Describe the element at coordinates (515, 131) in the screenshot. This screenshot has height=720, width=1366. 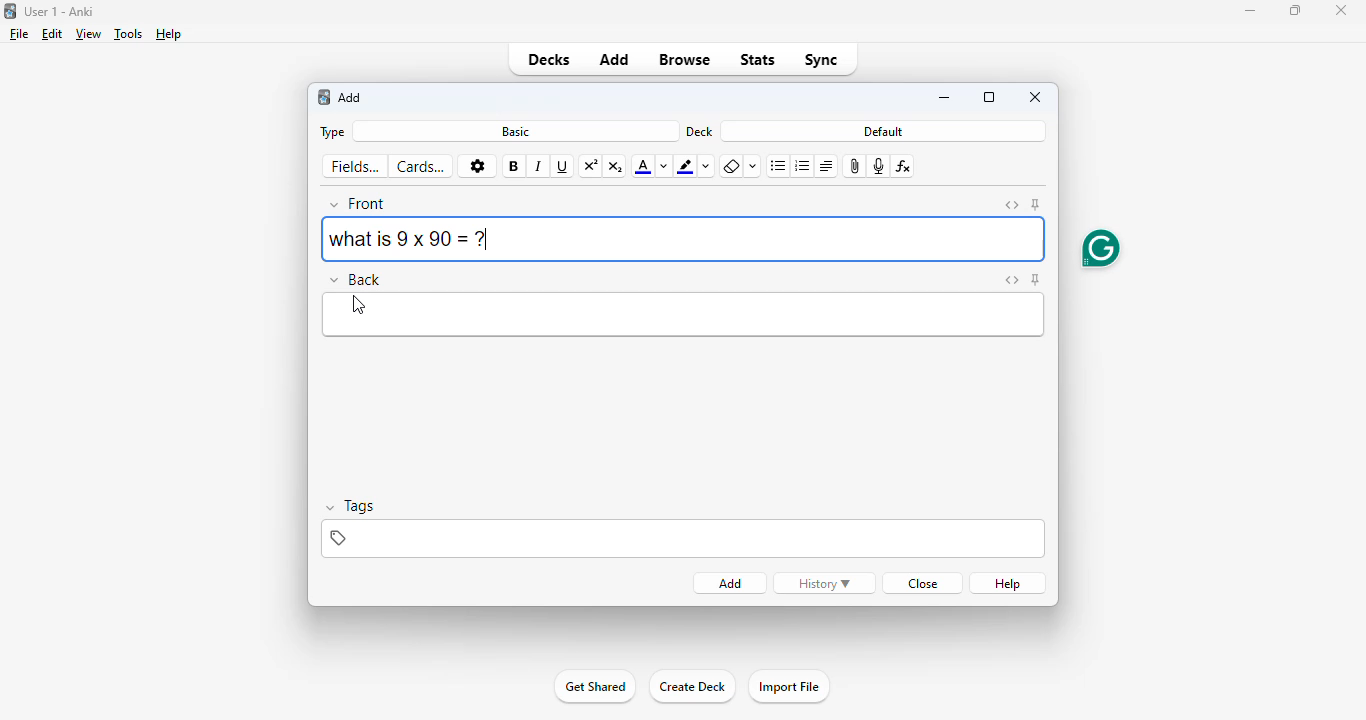
I see `basic` at that location.